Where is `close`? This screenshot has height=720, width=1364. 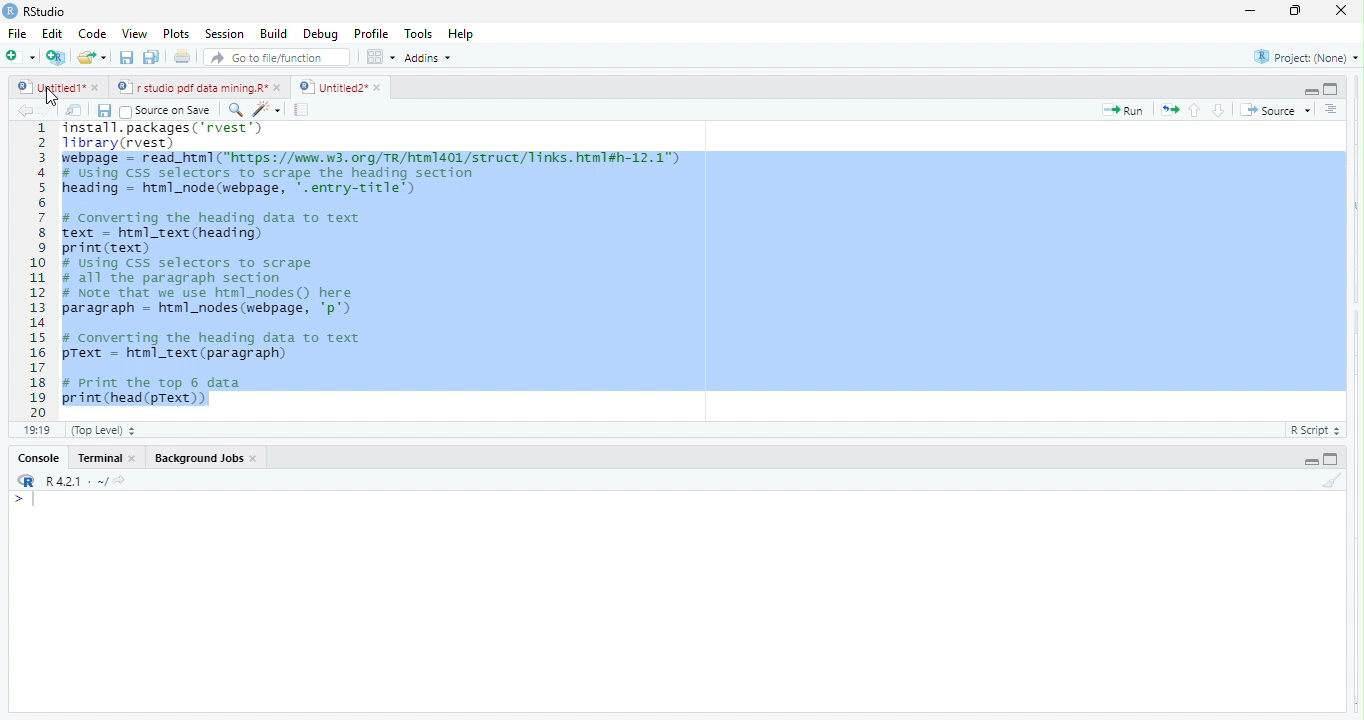 close is located at coordinates (1335, 10).